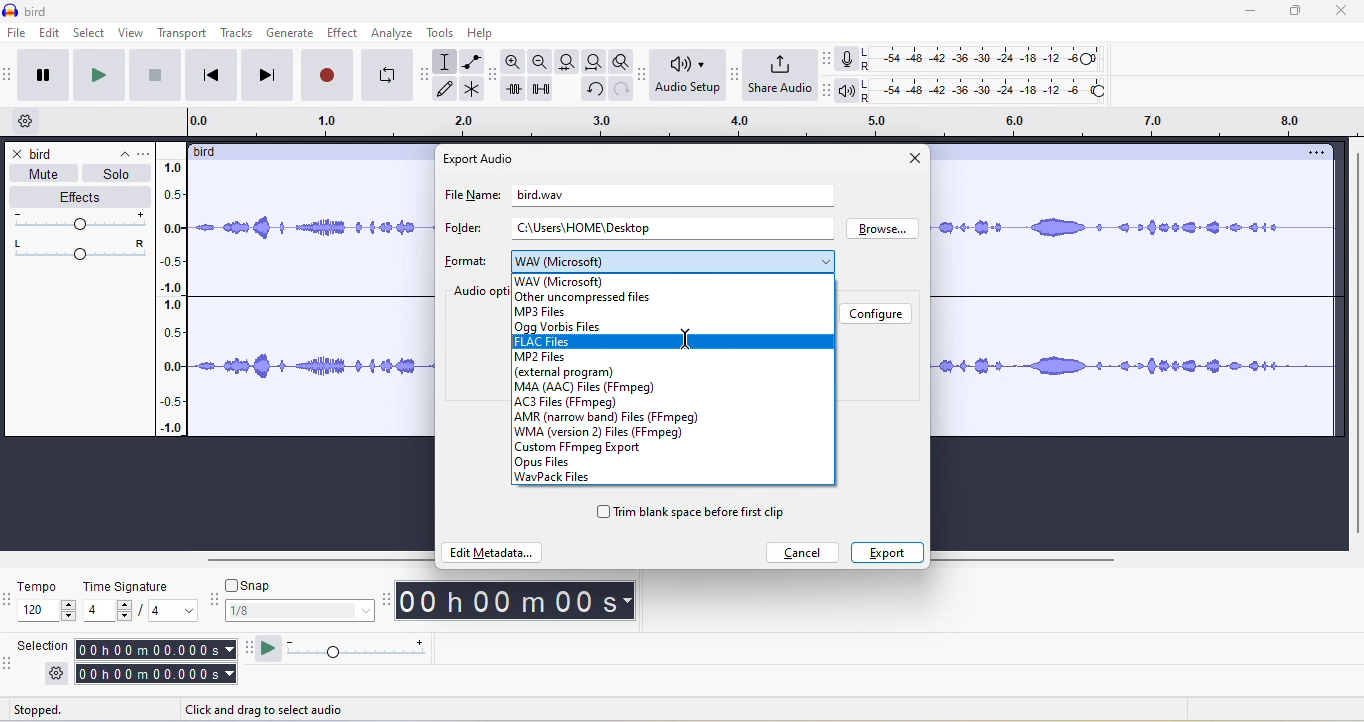  Describe the element at coordinates (55, 674) in the screenshot. I see `selection settings` at that location.